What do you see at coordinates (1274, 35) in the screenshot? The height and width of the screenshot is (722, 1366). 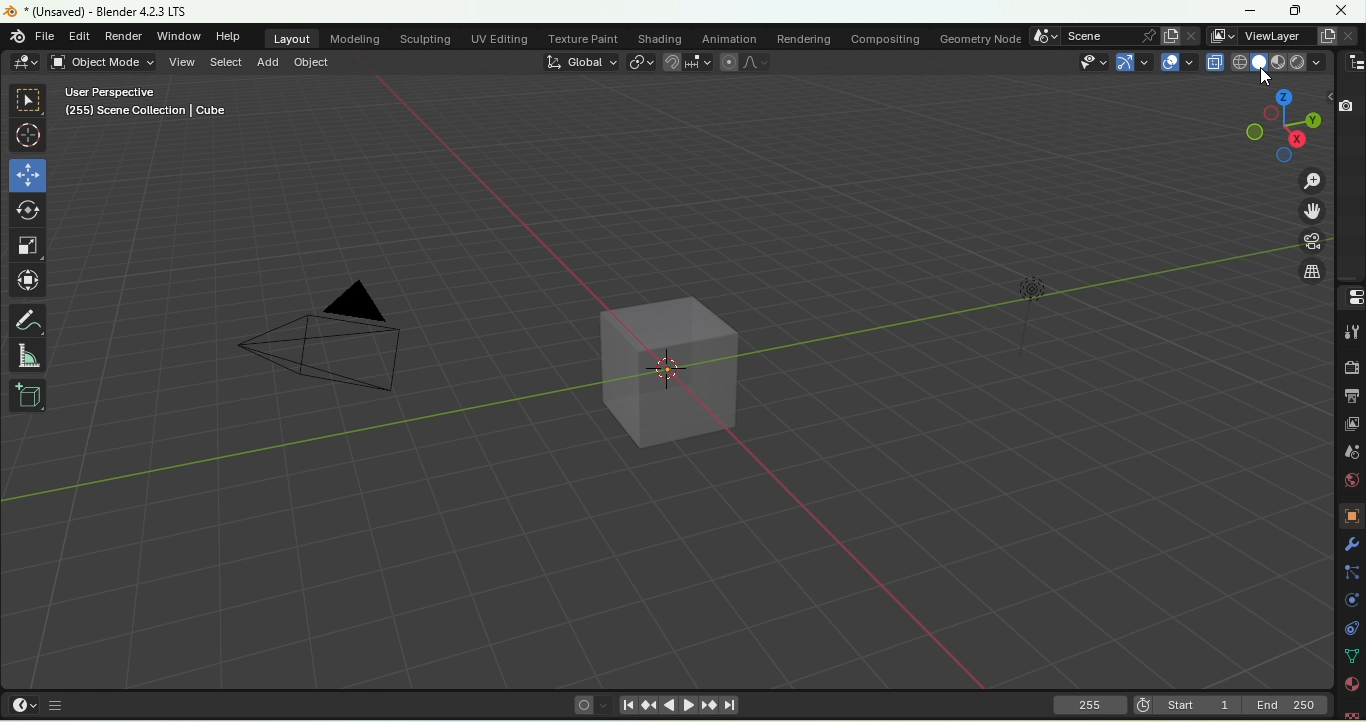 I see `Name` at bounding box center [1274, 35].